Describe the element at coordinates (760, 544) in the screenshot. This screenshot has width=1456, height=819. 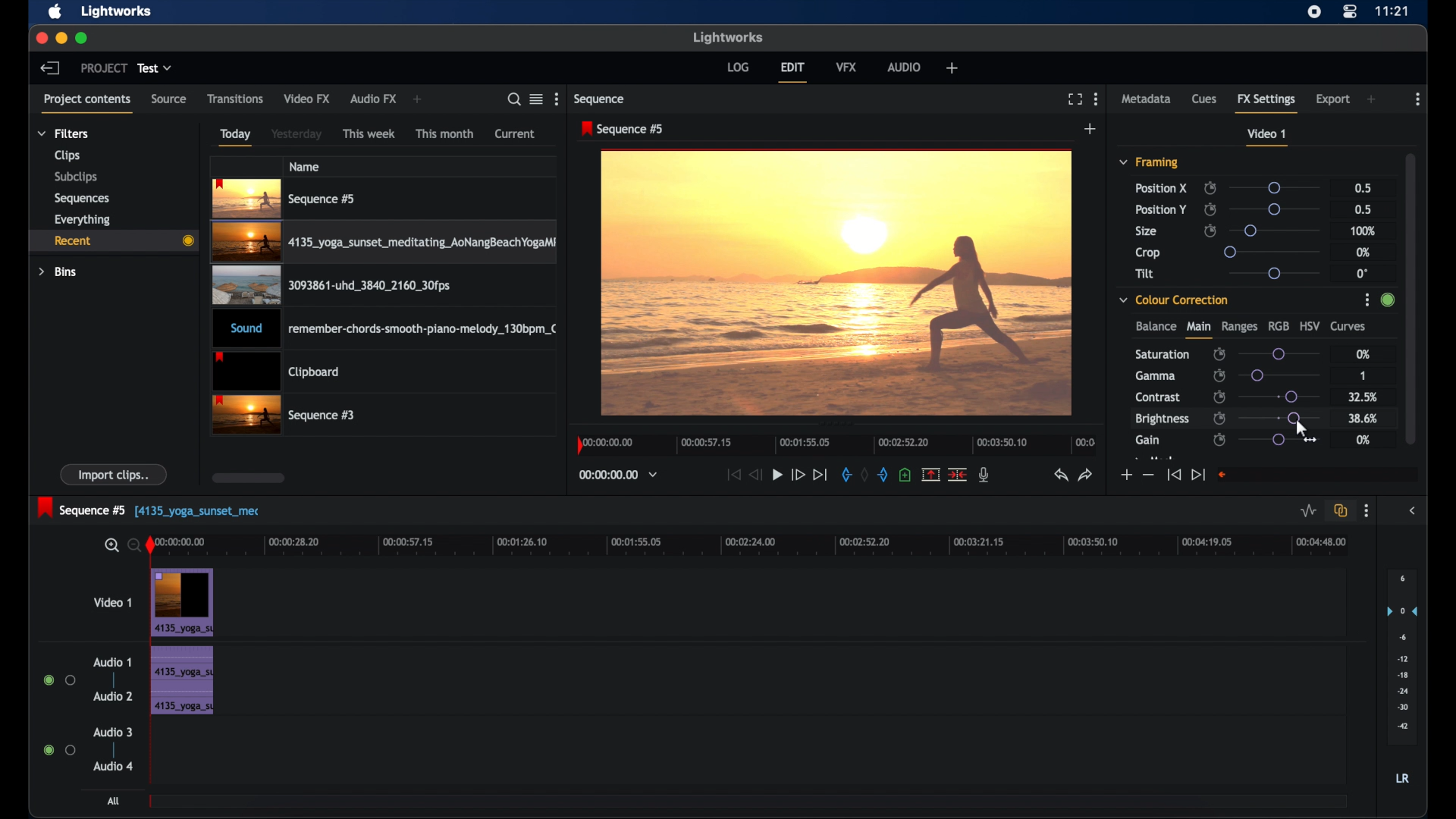
I see `timeline scale` at that location.